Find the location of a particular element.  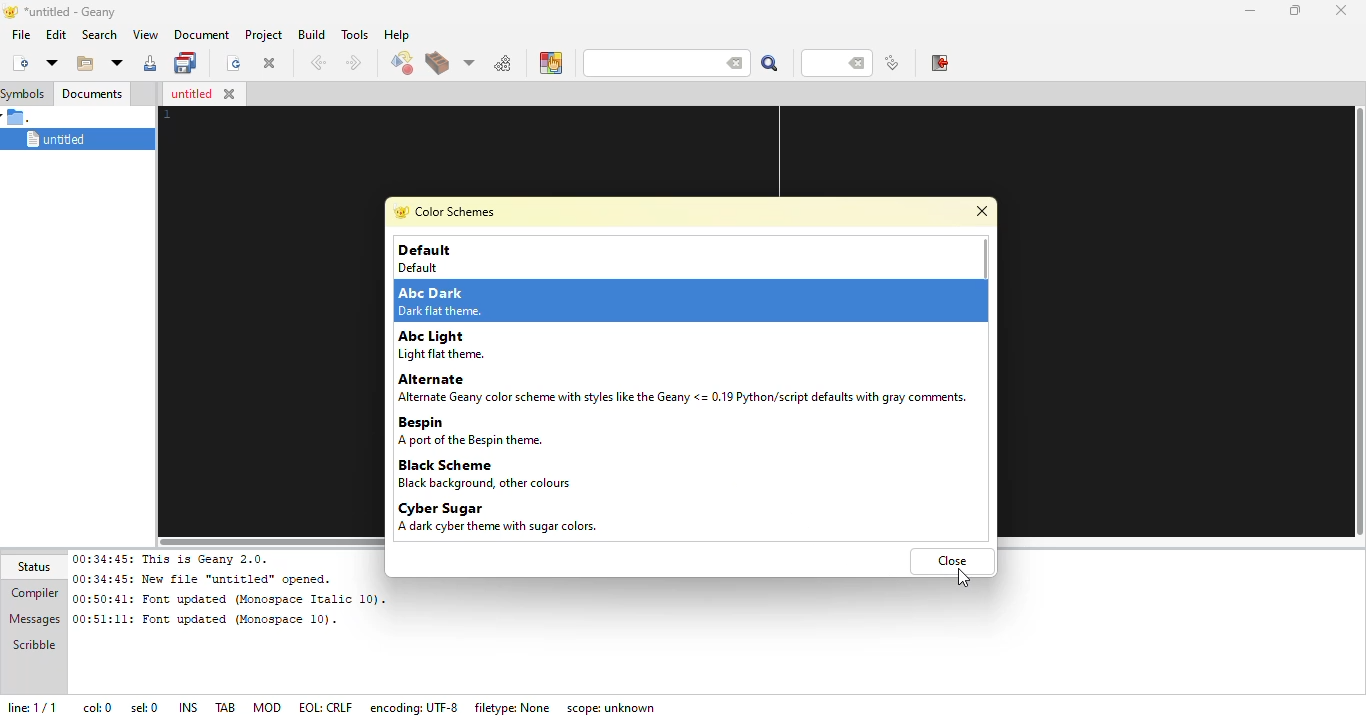

close is located at coordinates (230, 94).